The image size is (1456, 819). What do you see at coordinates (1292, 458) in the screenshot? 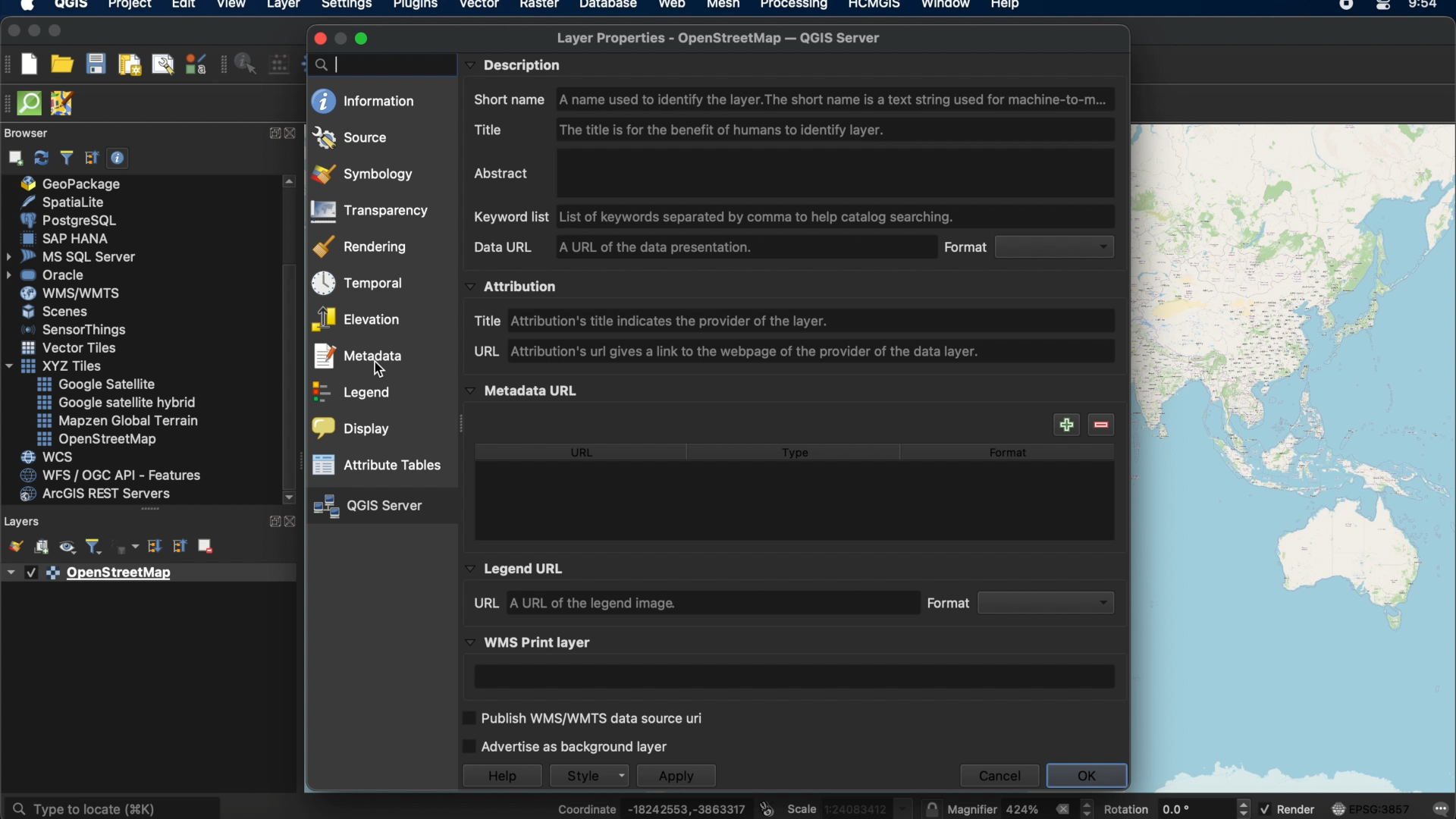
I see `background` at bounding box center [1292, 458].